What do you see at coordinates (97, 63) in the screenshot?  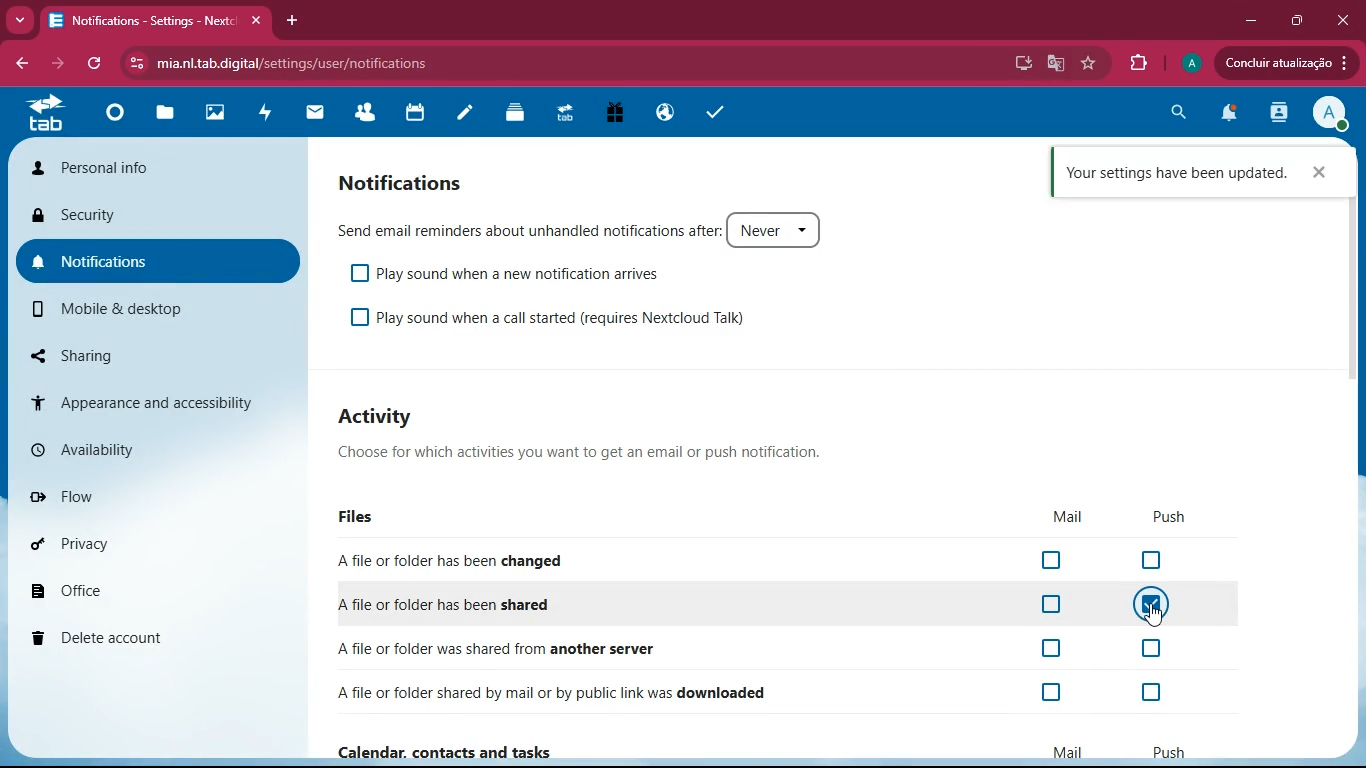 I see `refresh` at bounding box center [97, 63].